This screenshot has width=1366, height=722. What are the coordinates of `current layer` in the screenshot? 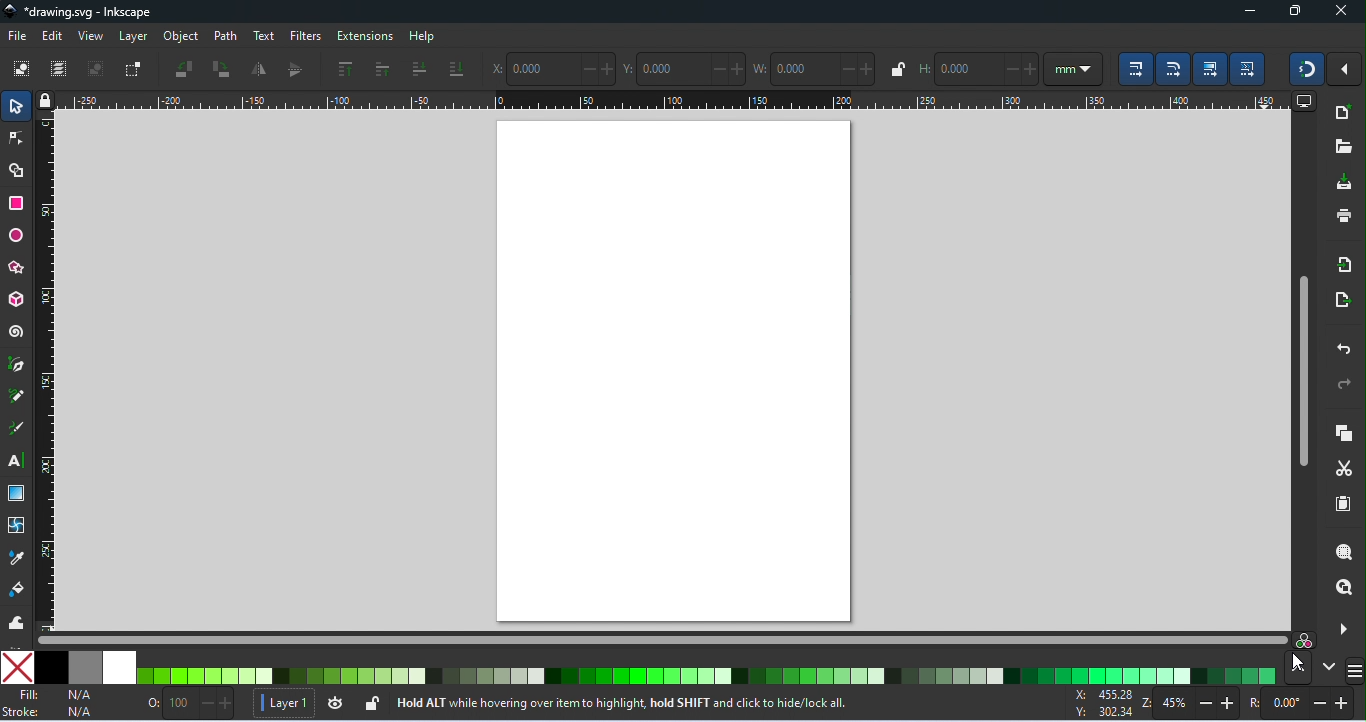 It's located at (282, 701).